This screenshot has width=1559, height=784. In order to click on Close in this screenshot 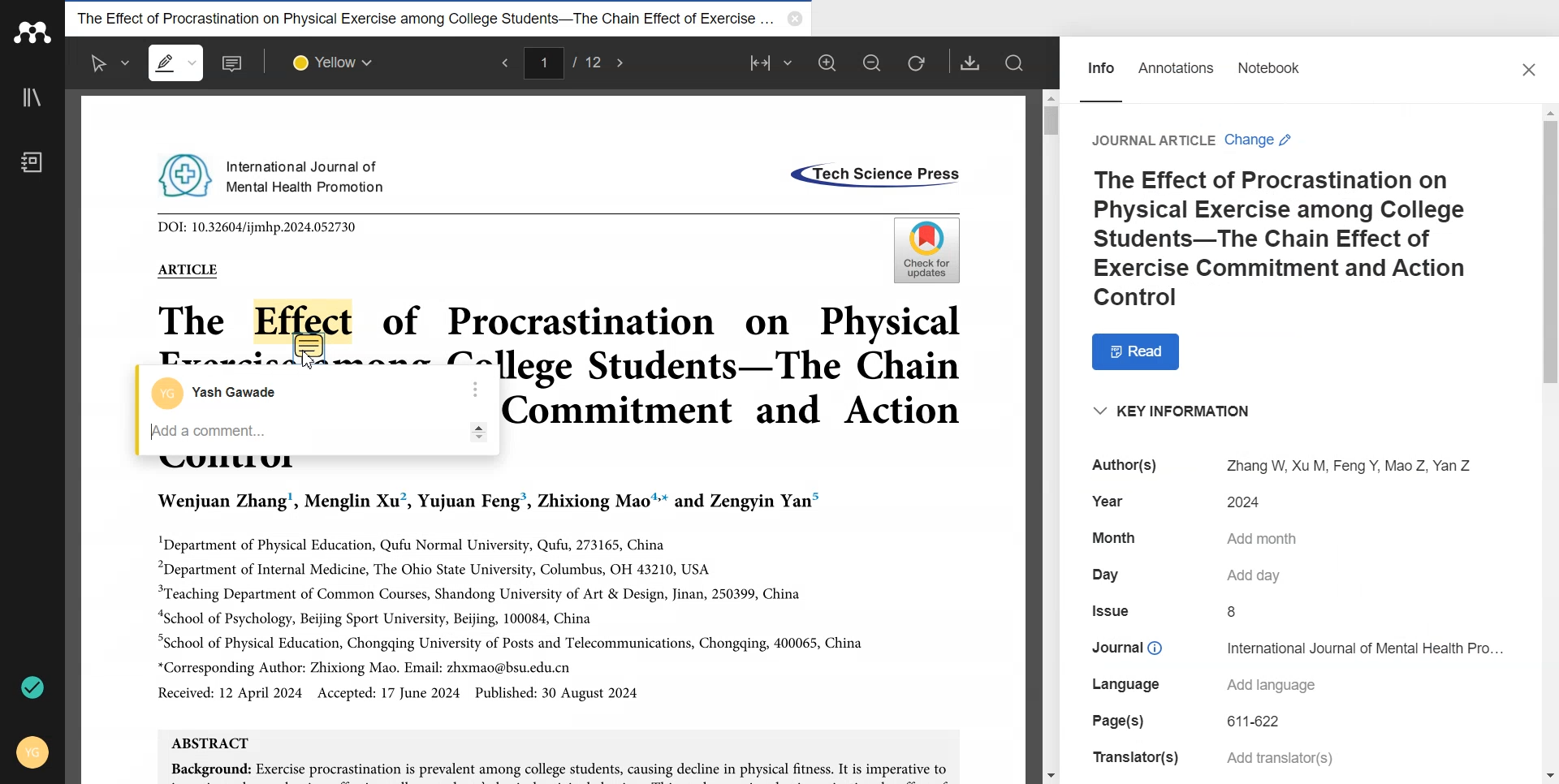, I will do `click(1532, 72)`.